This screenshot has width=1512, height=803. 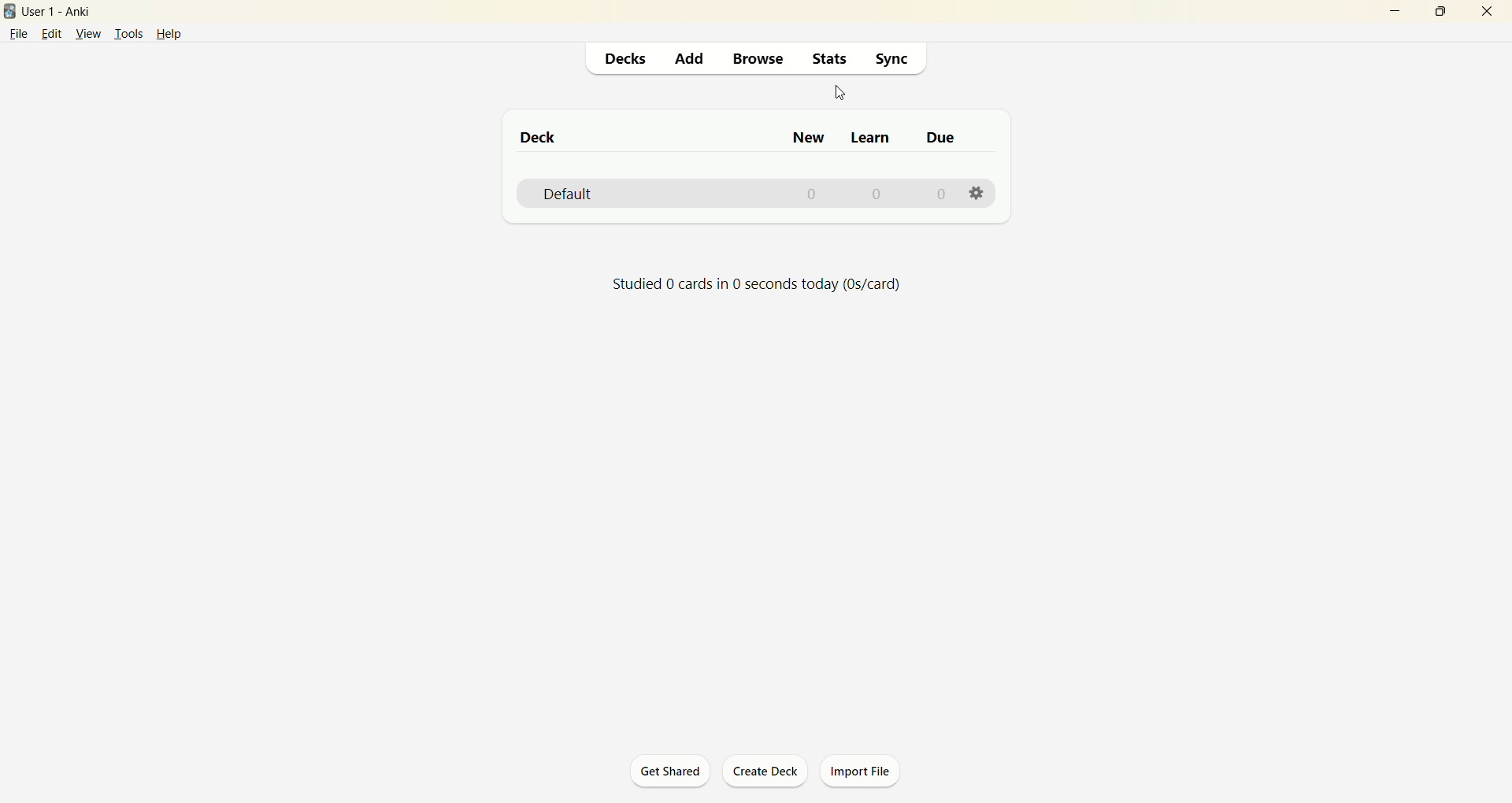 What do you see at coordinates (839, 94) in the screenshot?
I see `cursor` at bounding box center [839, 94].